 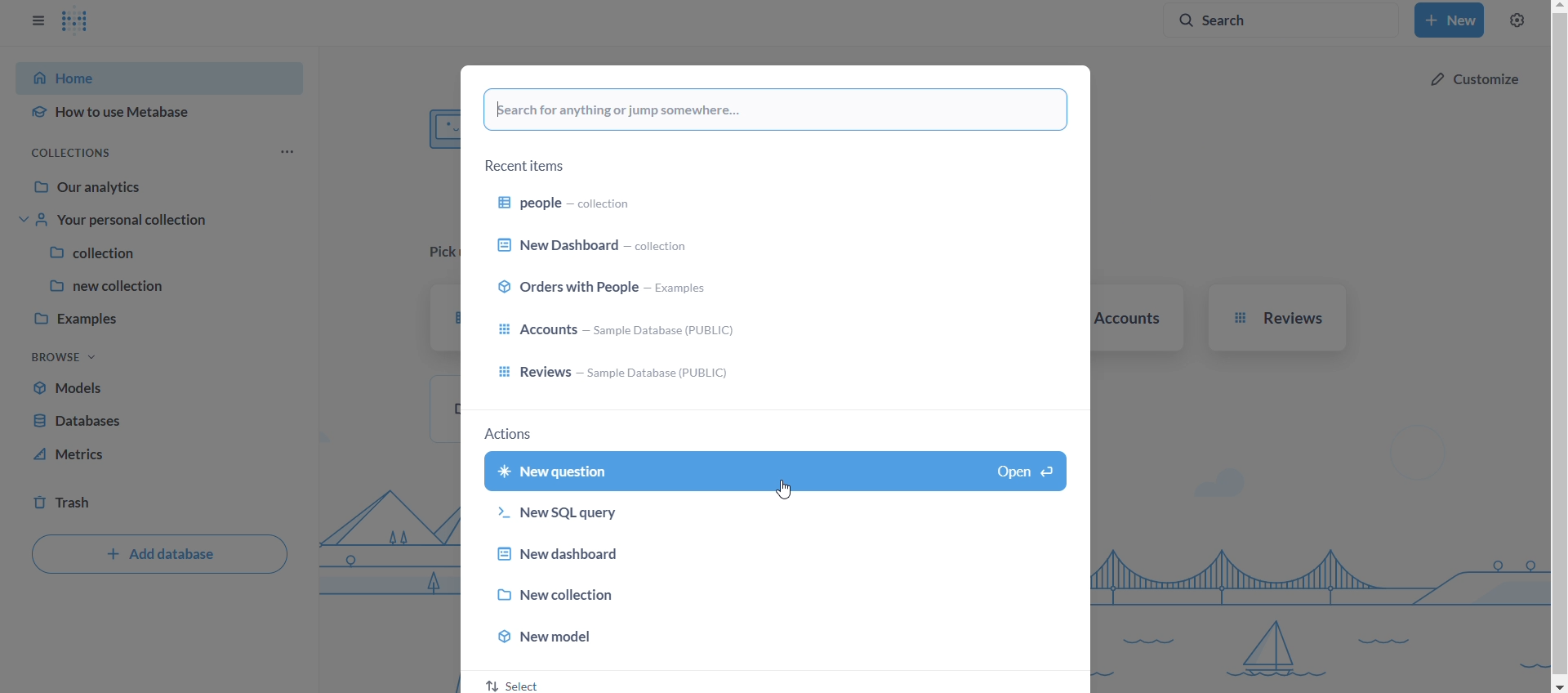 What do you see at coordinates (768, 639) in the screenshot?
I see `new model` at bounding box center [768, 639].